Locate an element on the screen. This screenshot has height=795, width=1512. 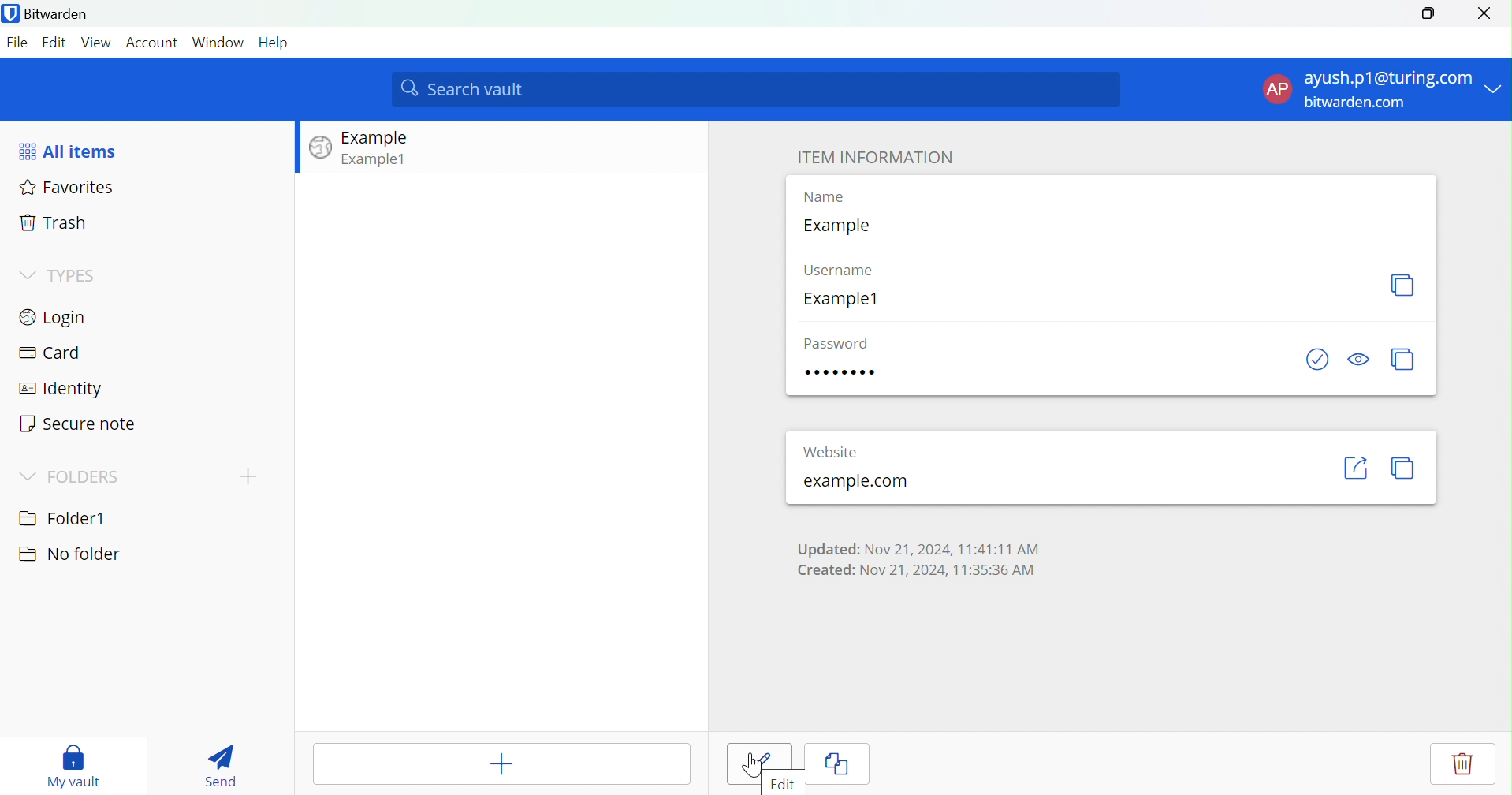
Folder1 is located at coordinates (63, 516).